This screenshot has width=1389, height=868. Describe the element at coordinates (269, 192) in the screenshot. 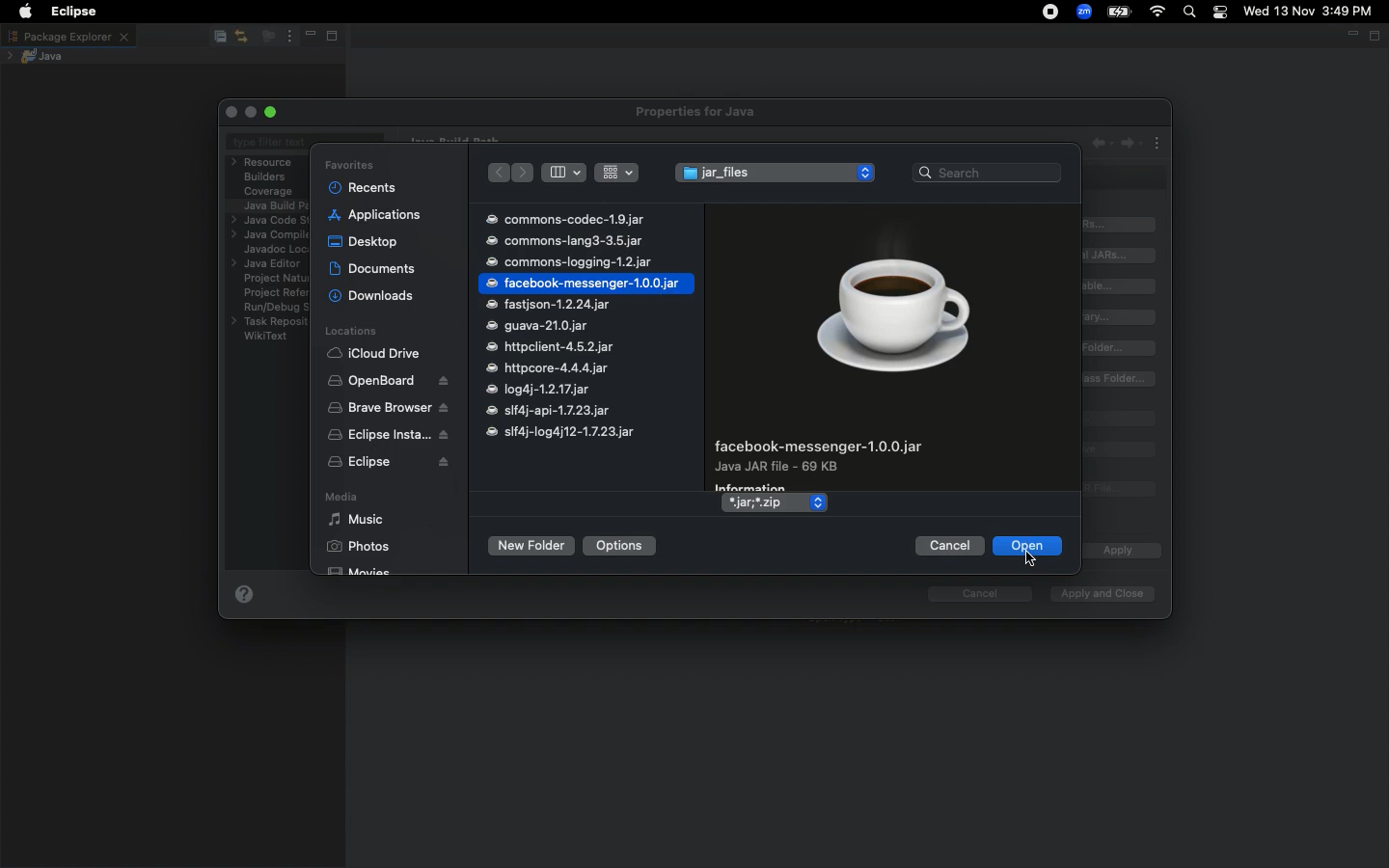

I see `Coverage` at that location.